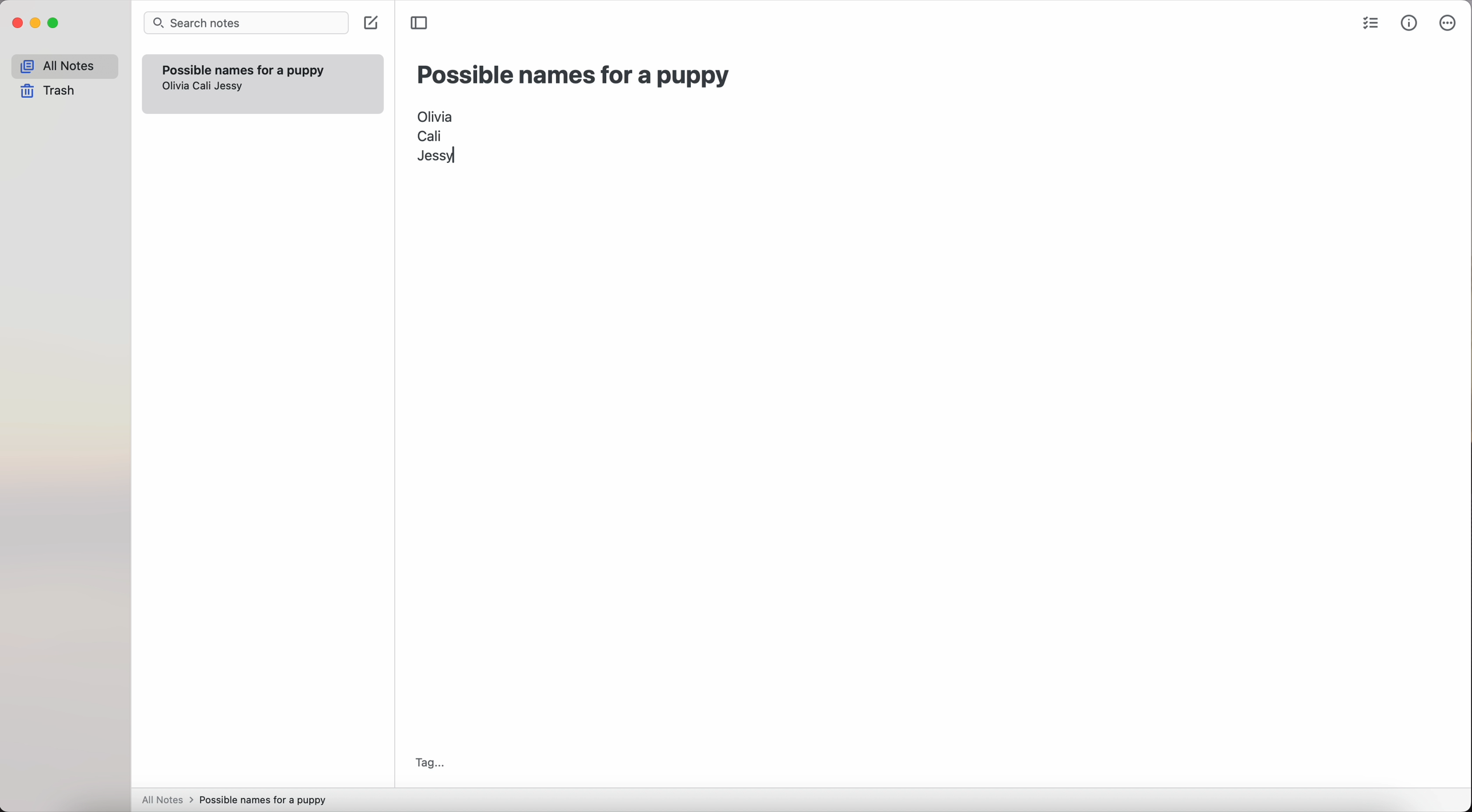 The image size is (1472, 812). Describe the element at coordinates (54, 25) in the screenshot. I see `maximize` at that location.